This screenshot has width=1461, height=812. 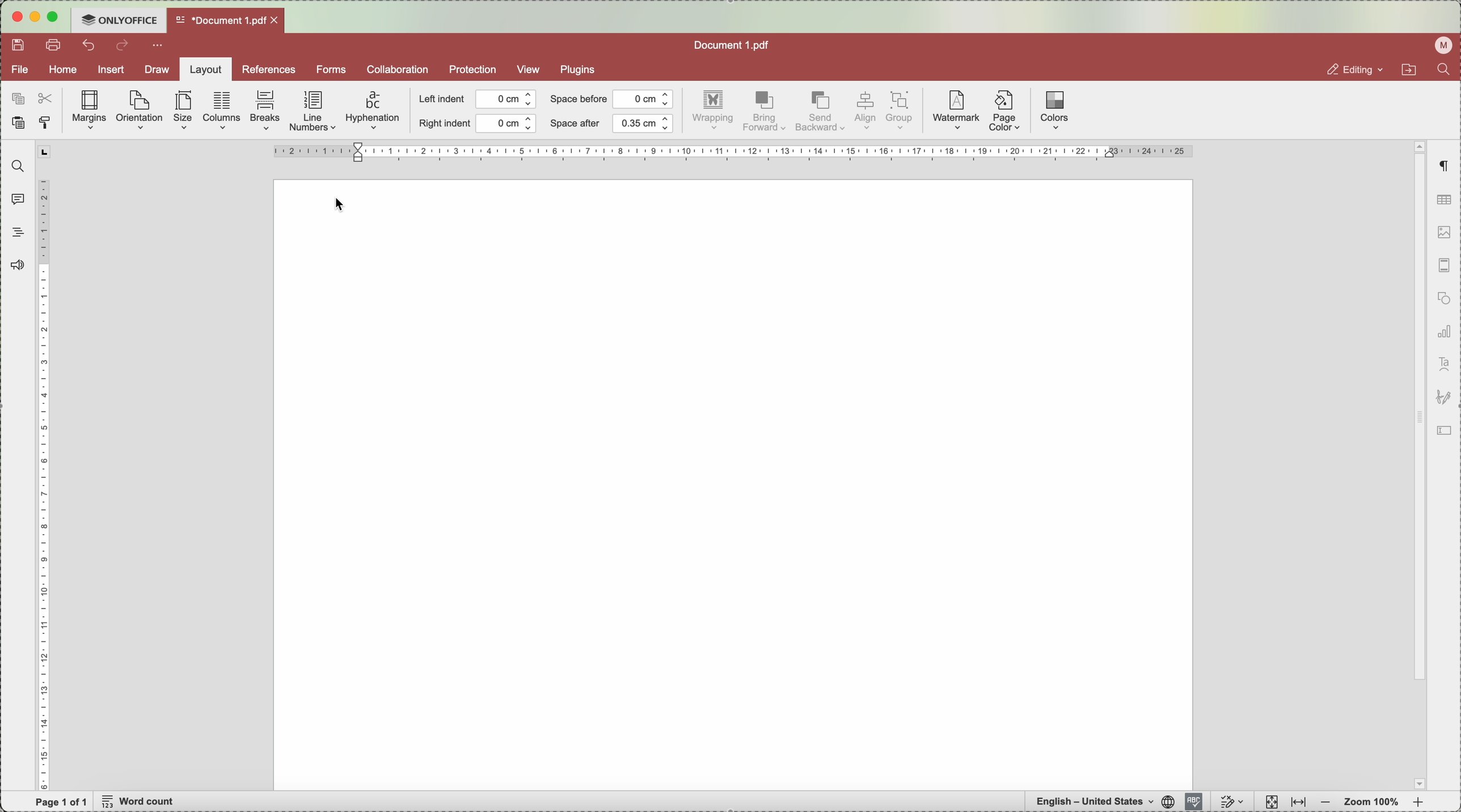 What do you see at coordinates (15, 166) in the screenshot?
I see `find` at bounding box center [15, 166].